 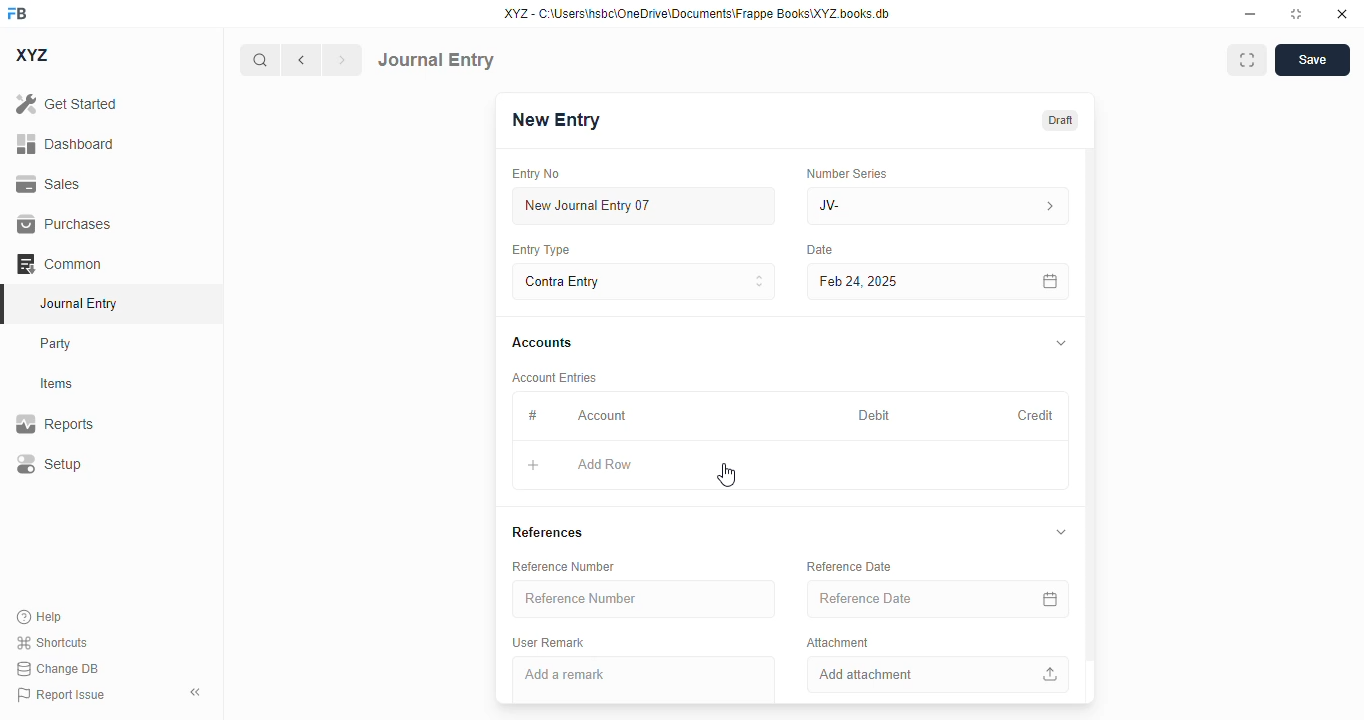 What do you see at coordinates (542, 250) in the screenshot?
I see `entry type` at bounding box center [542, 250].